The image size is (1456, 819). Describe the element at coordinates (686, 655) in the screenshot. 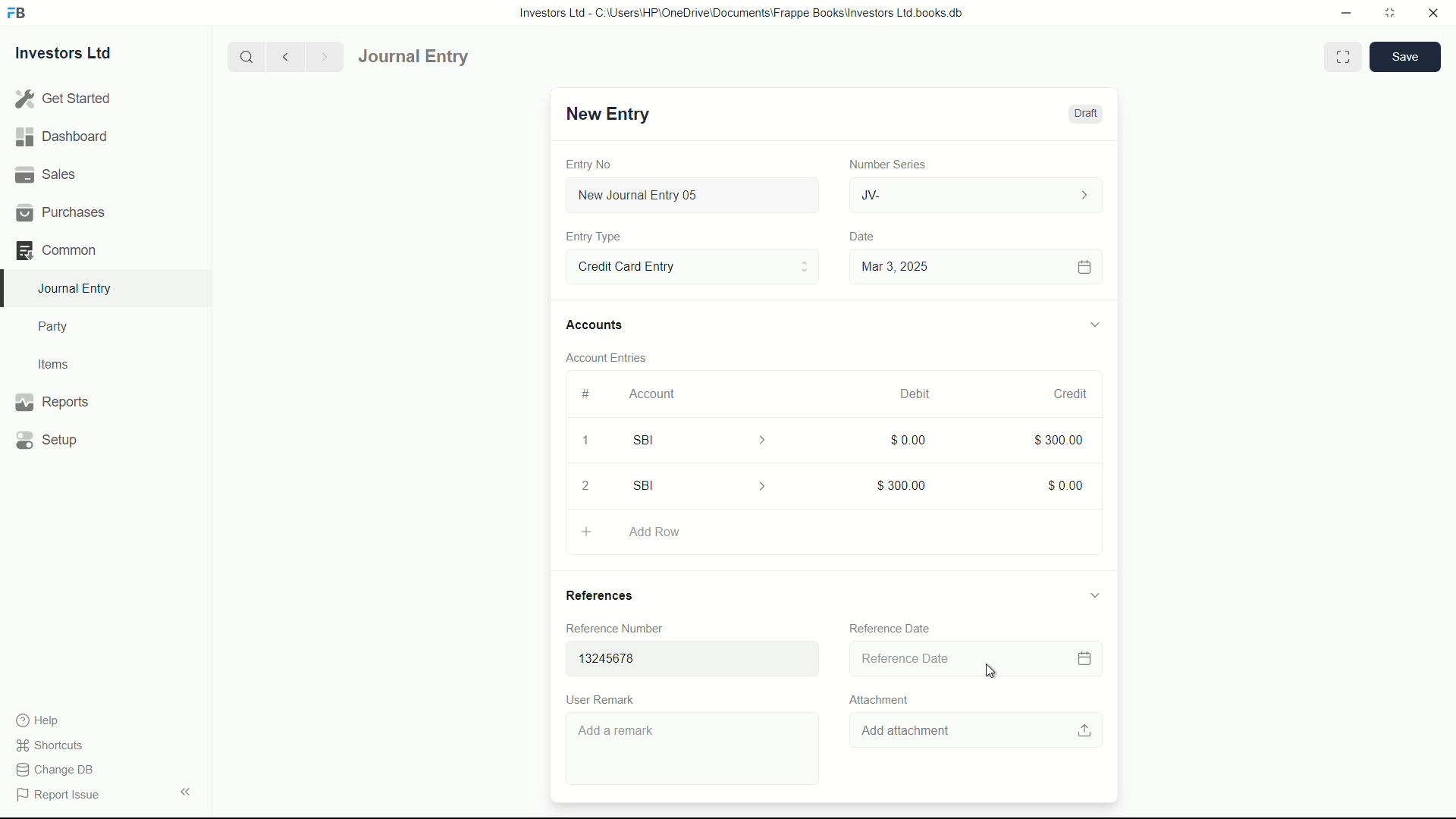

I see `13245678` at that location.